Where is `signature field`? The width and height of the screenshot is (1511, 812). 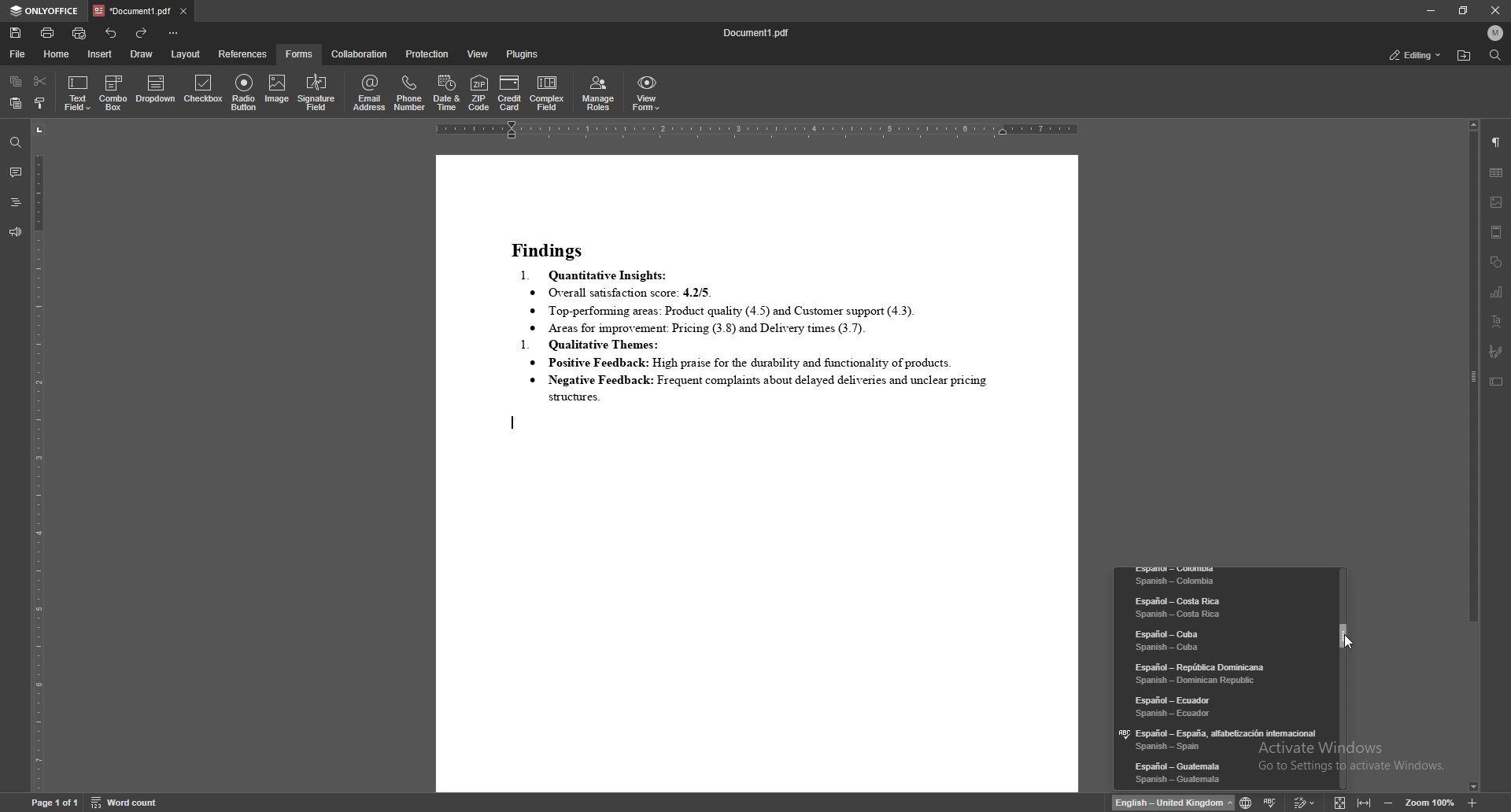 signature field is located at coordinates (316, 94).